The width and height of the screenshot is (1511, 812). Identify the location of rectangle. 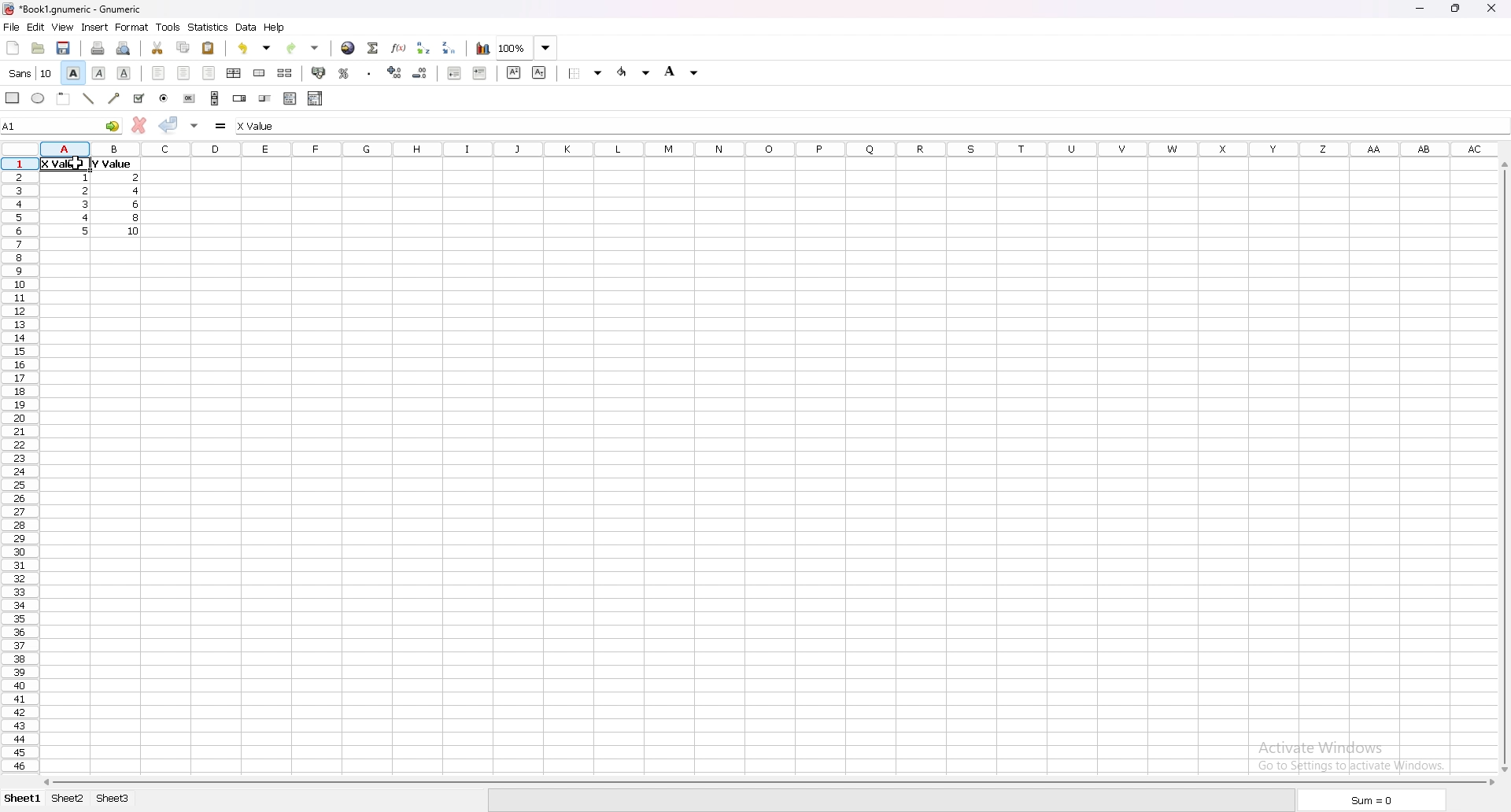
(13, 97).